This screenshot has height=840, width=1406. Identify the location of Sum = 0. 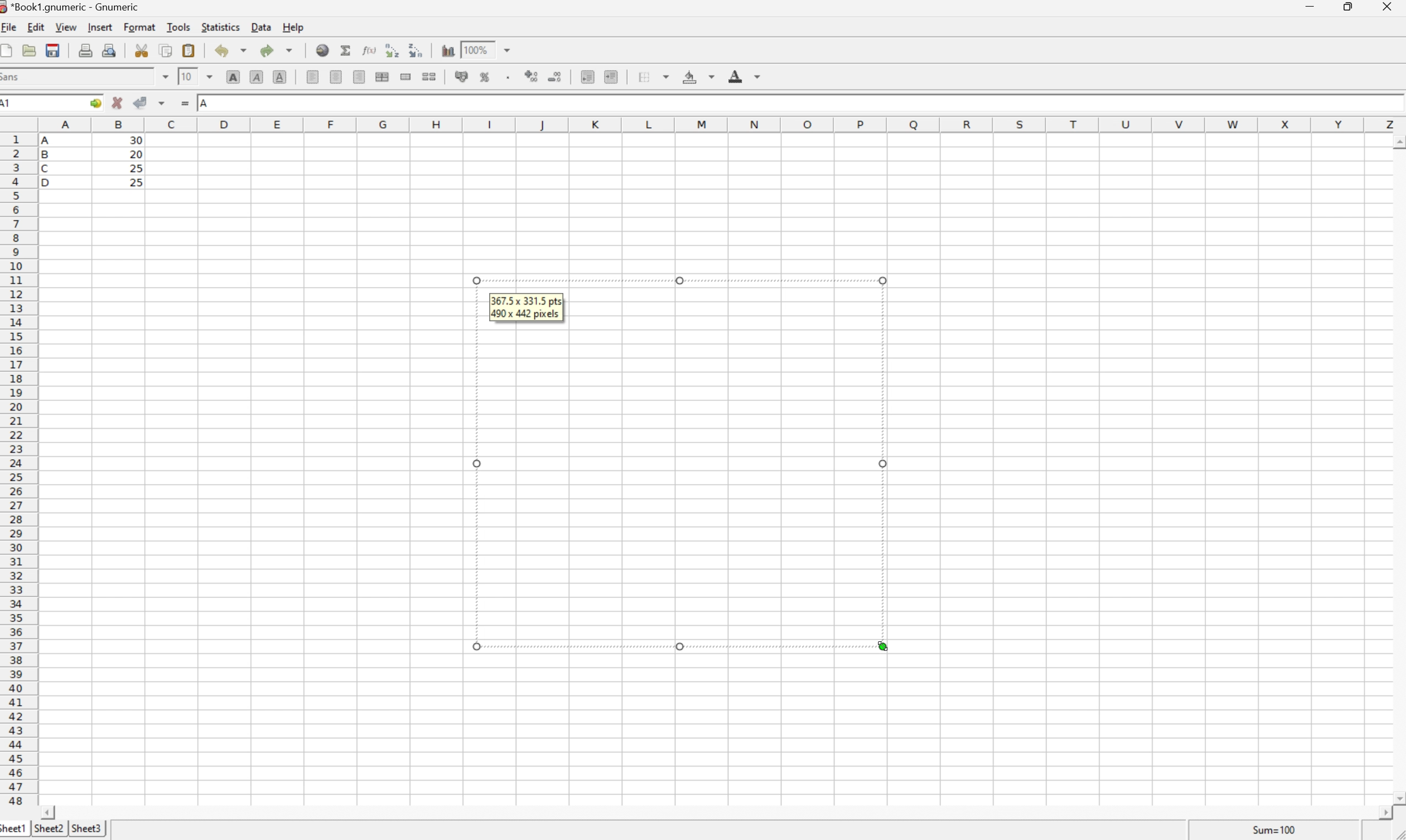
(1272, 830).